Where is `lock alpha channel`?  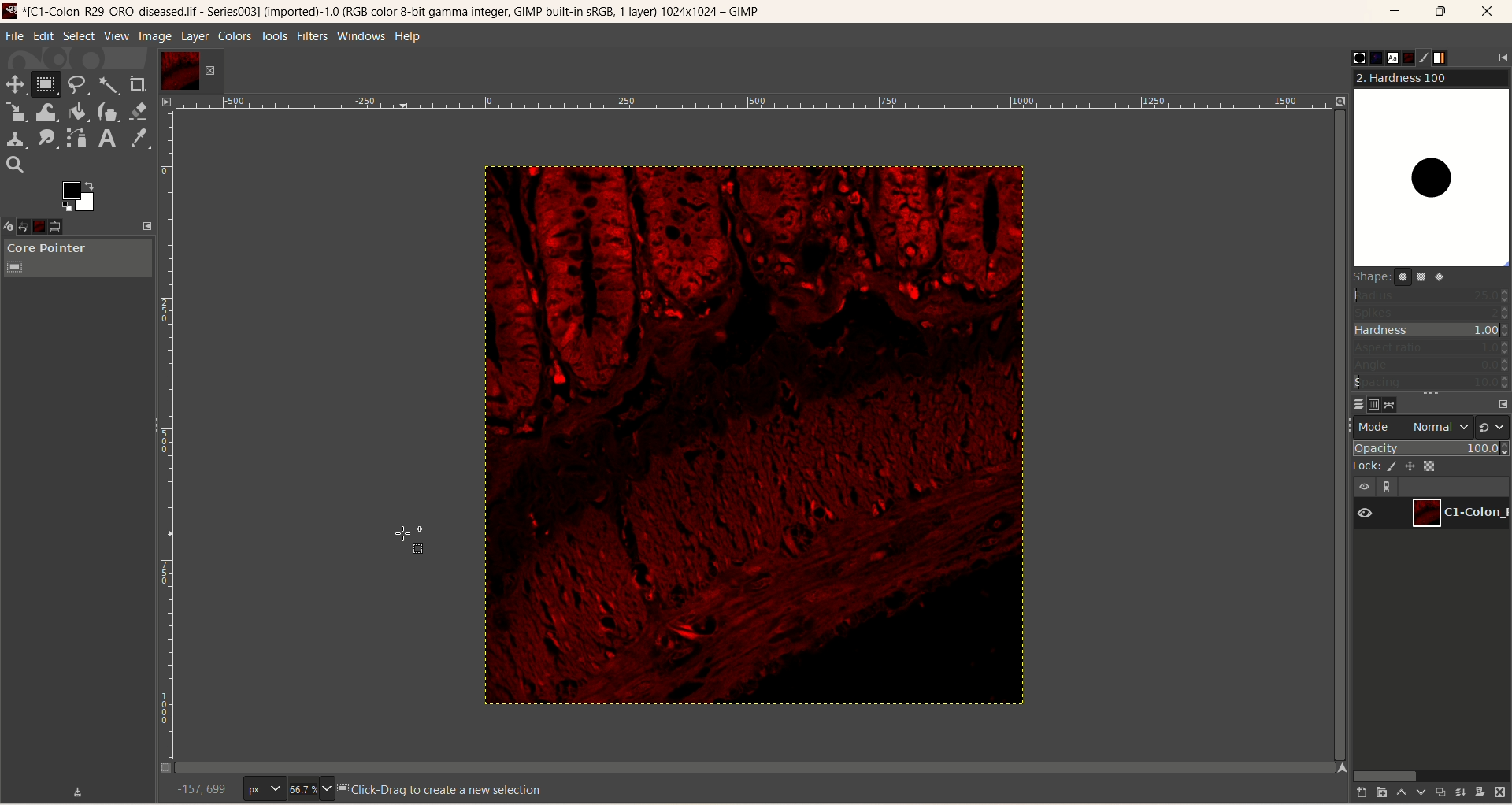 lock alpha channel is located at coordinates (1438, 466).